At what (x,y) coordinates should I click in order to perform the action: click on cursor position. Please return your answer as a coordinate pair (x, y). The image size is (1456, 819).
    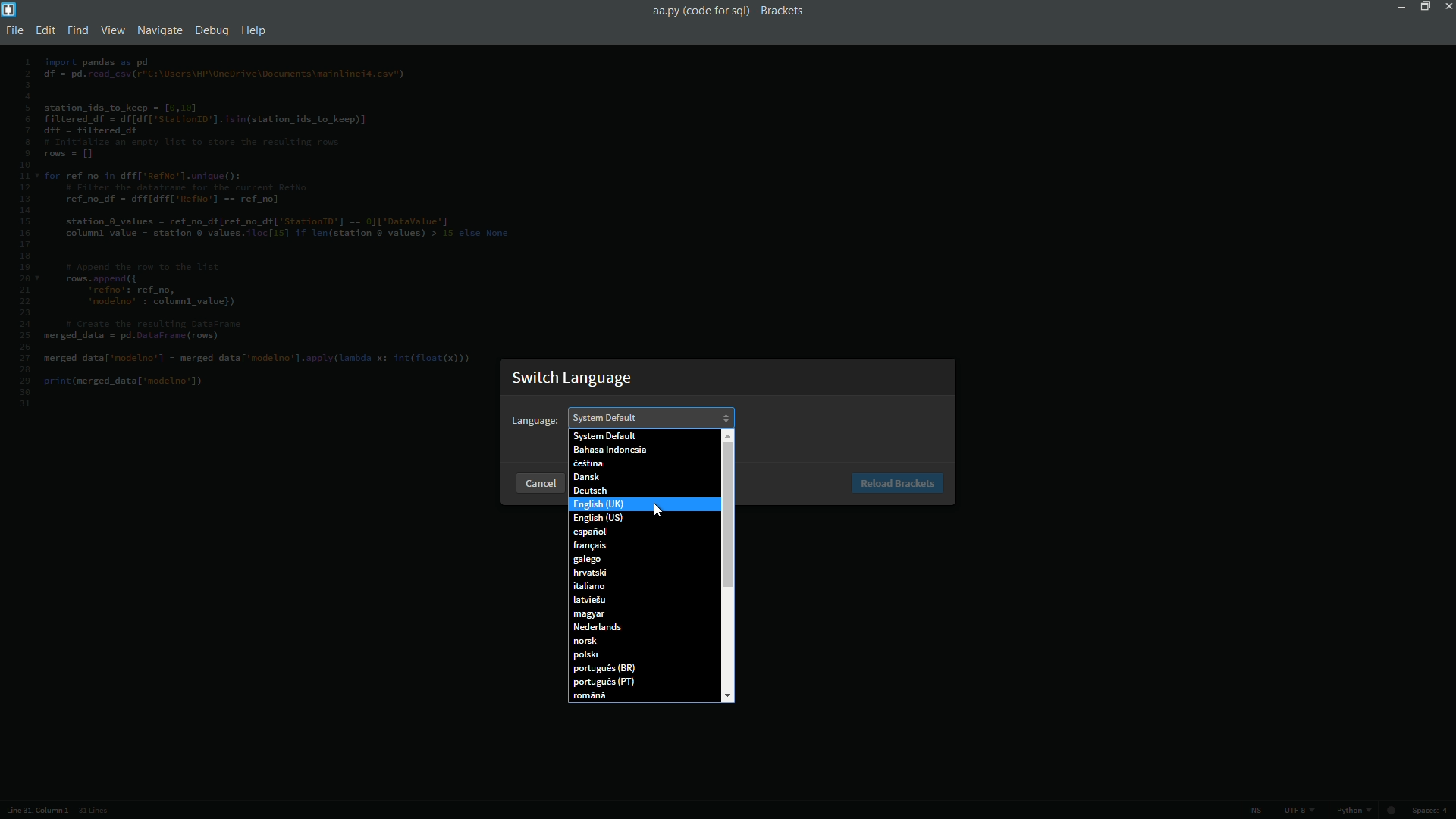
    Looking at the image, I should click on (32, 811).